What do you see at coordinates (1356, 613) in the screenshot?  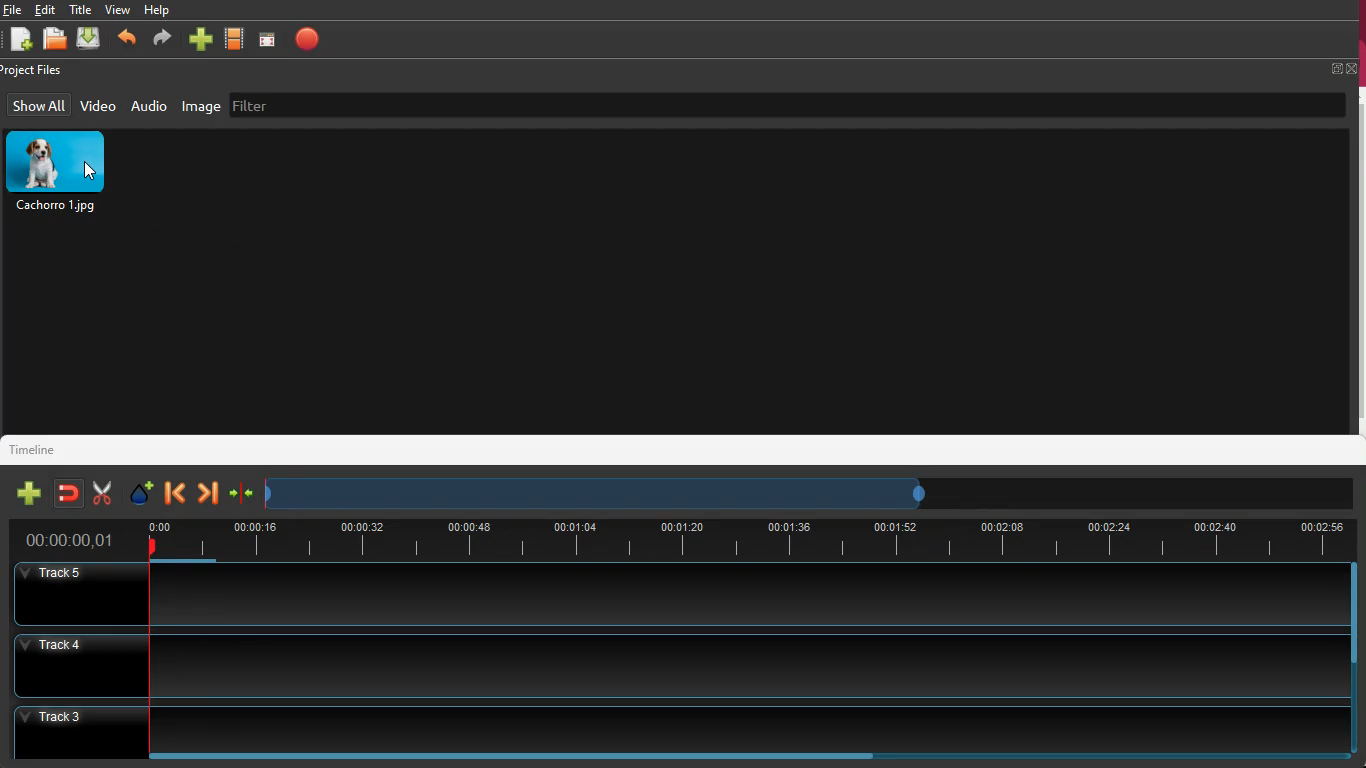 I see `vertical scroll bar` at bounding box center [1356, 613].